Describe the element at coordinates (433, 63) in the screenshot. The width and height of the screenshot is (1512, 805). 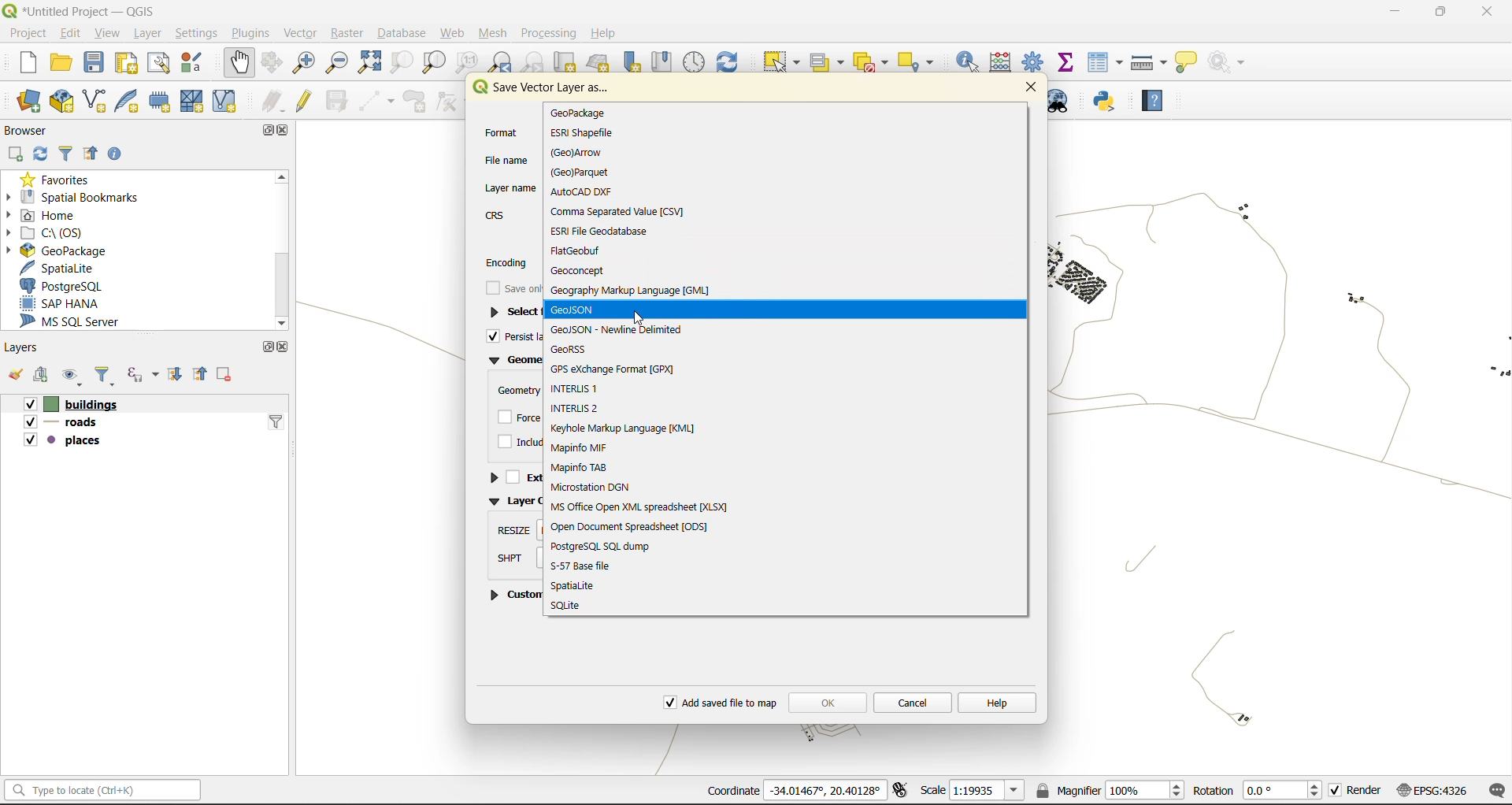
I see `zoom layer` at that location.